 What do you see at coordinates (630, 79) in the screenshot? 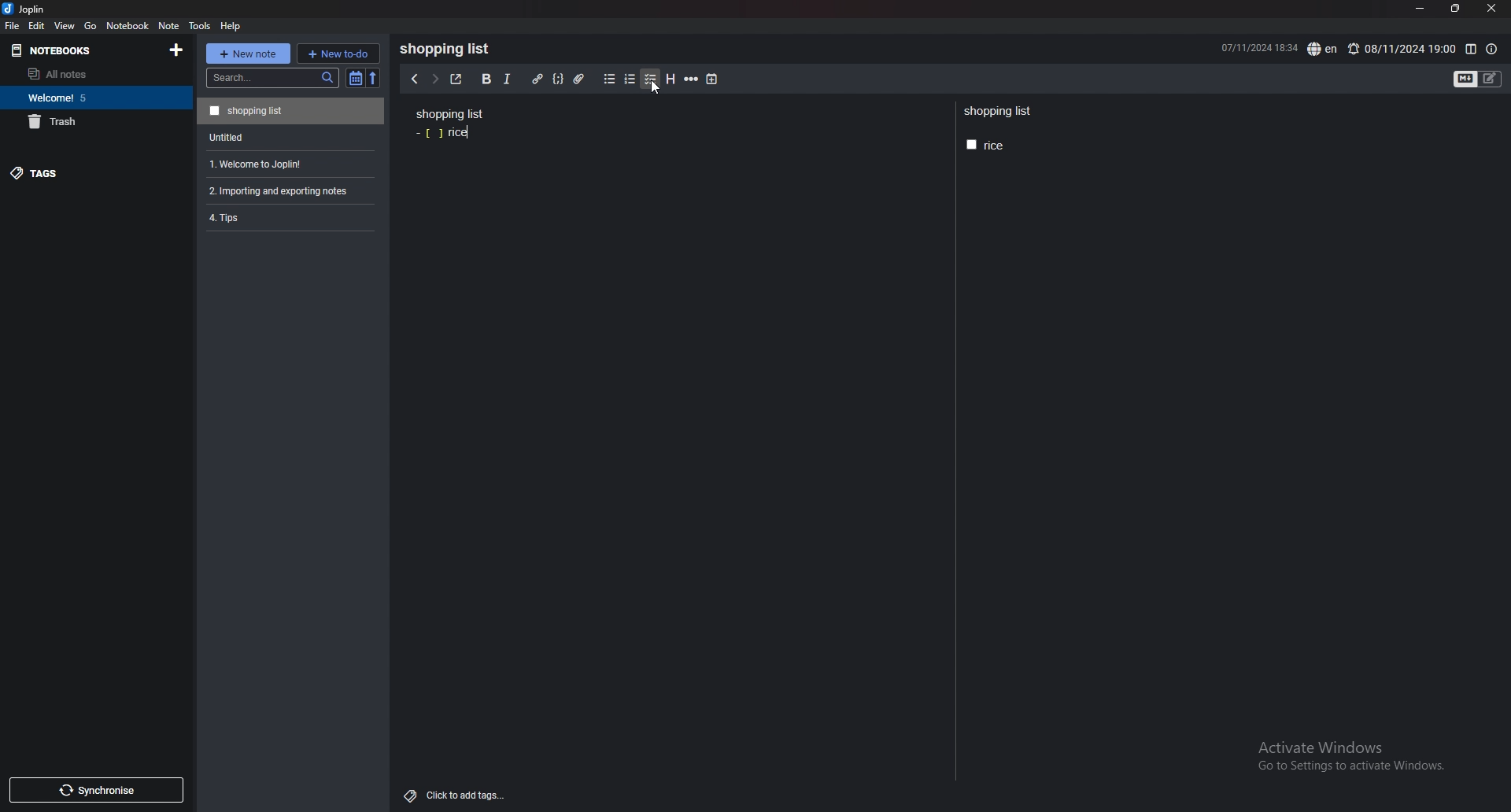
I see `numbered list` at bounding box center [630, 79].